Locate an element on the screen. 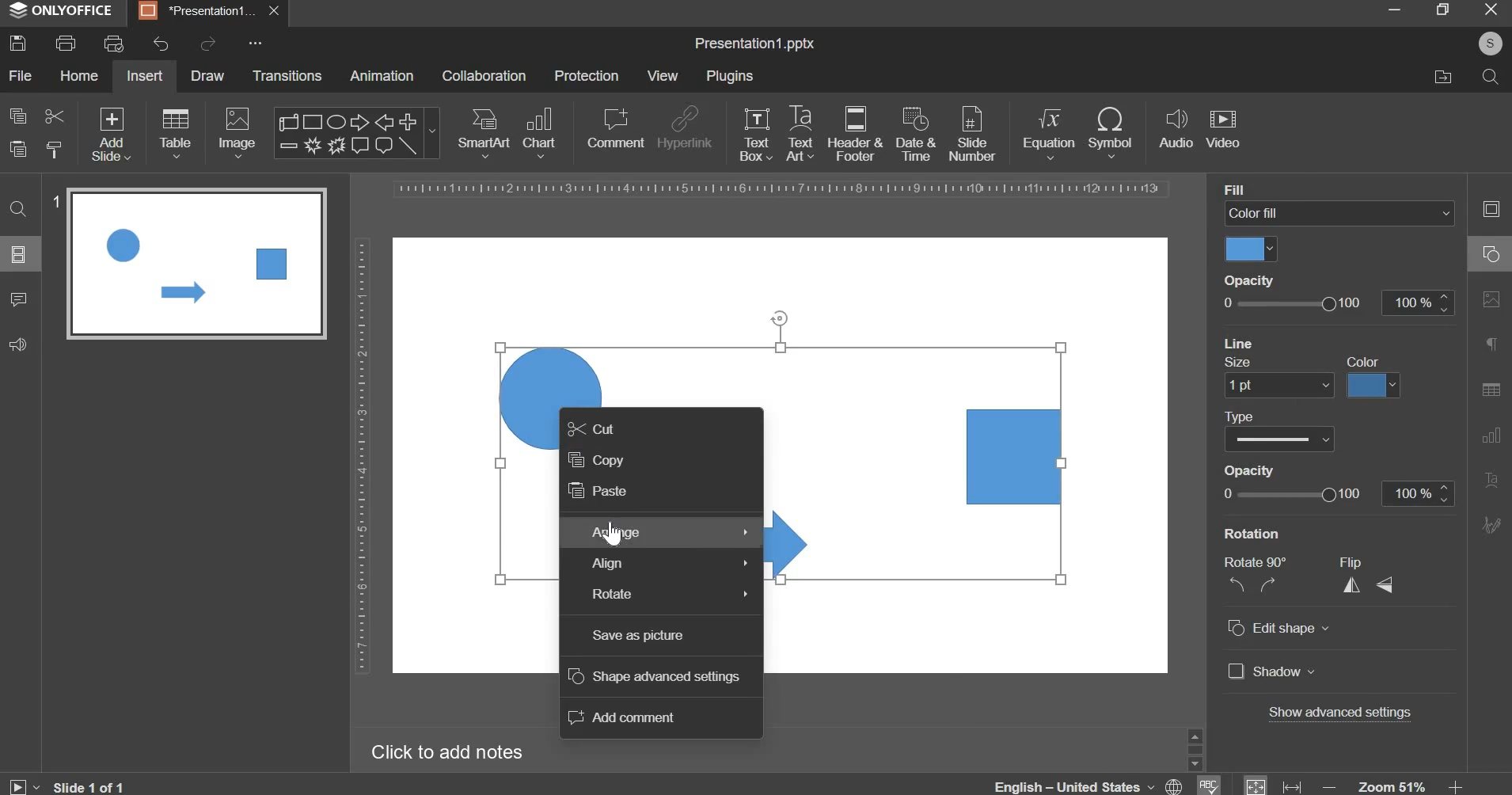 This screenshot has height=795, width=1512. cut is located at coordinates (53, 115).